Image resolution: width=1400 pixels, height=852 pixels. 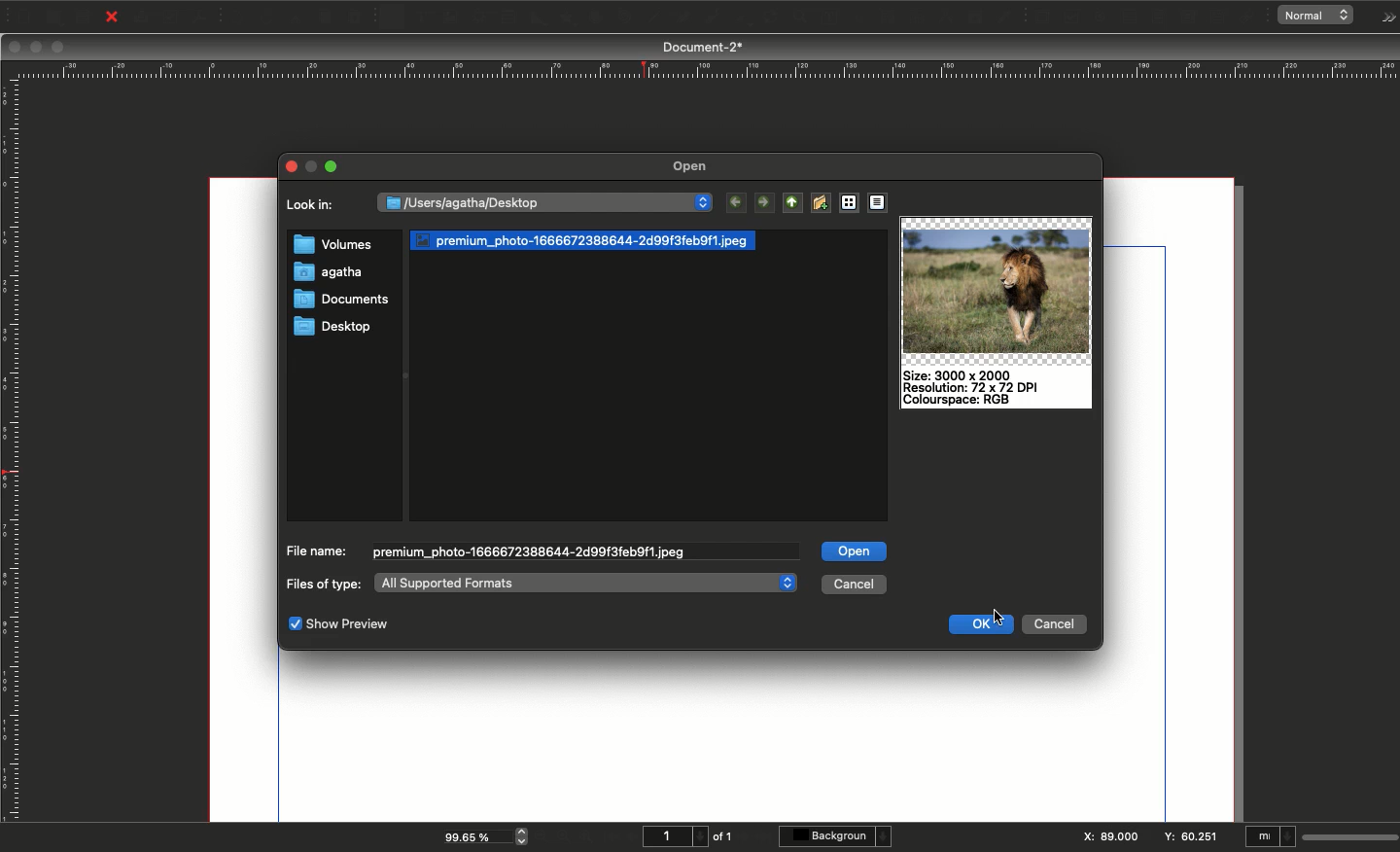 What do you see at coordinates (267, 18) in the screenshot?
I see `Redo` at bounding box center [267, 18].